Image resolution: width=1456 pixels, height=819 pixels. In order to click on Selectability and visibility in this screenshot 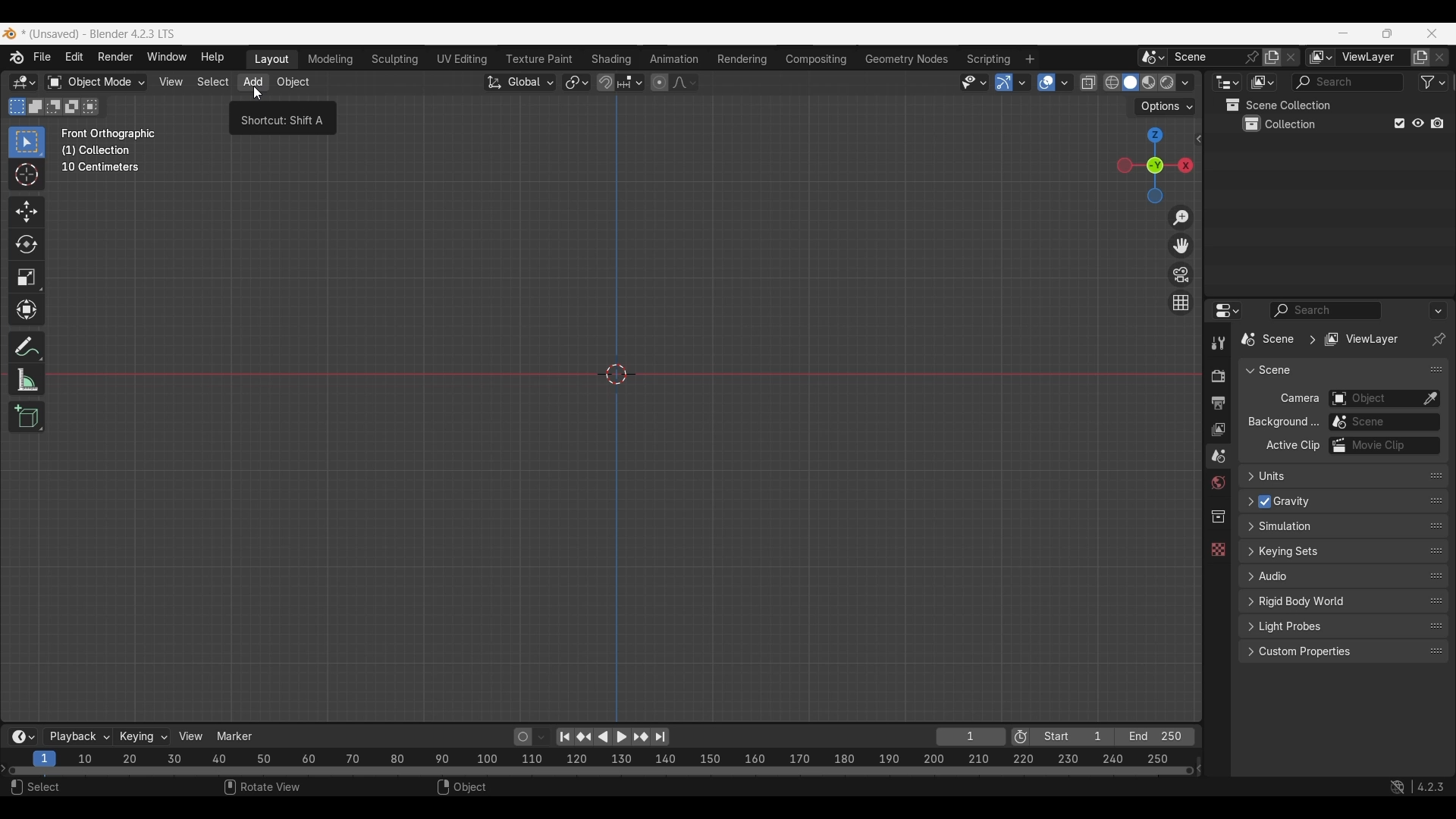, I will do `click(974, 83)`.